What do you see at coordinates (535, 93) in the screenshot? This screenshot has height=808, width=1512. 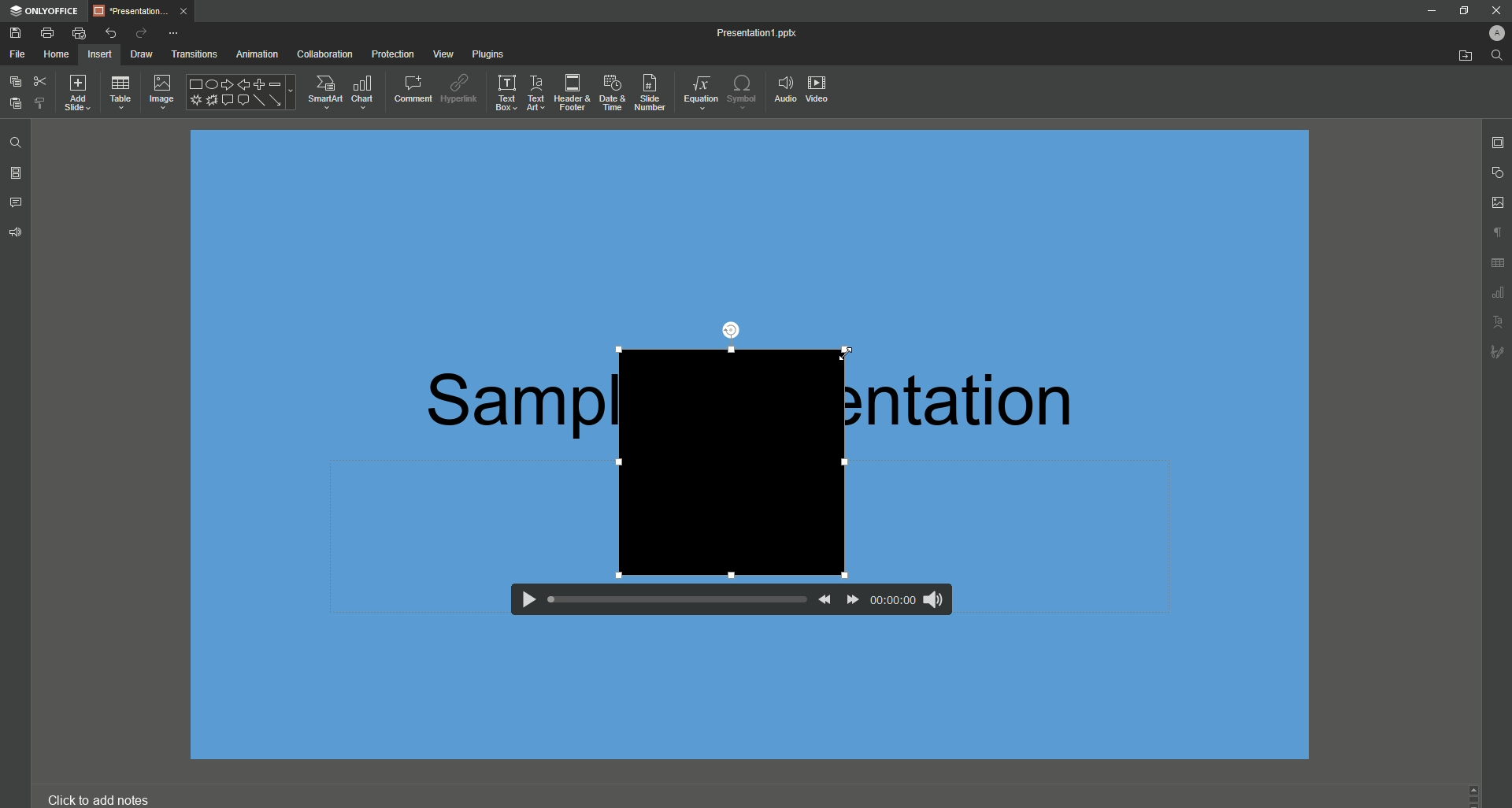 I see `Text Art` at bounding box center [535, 93].